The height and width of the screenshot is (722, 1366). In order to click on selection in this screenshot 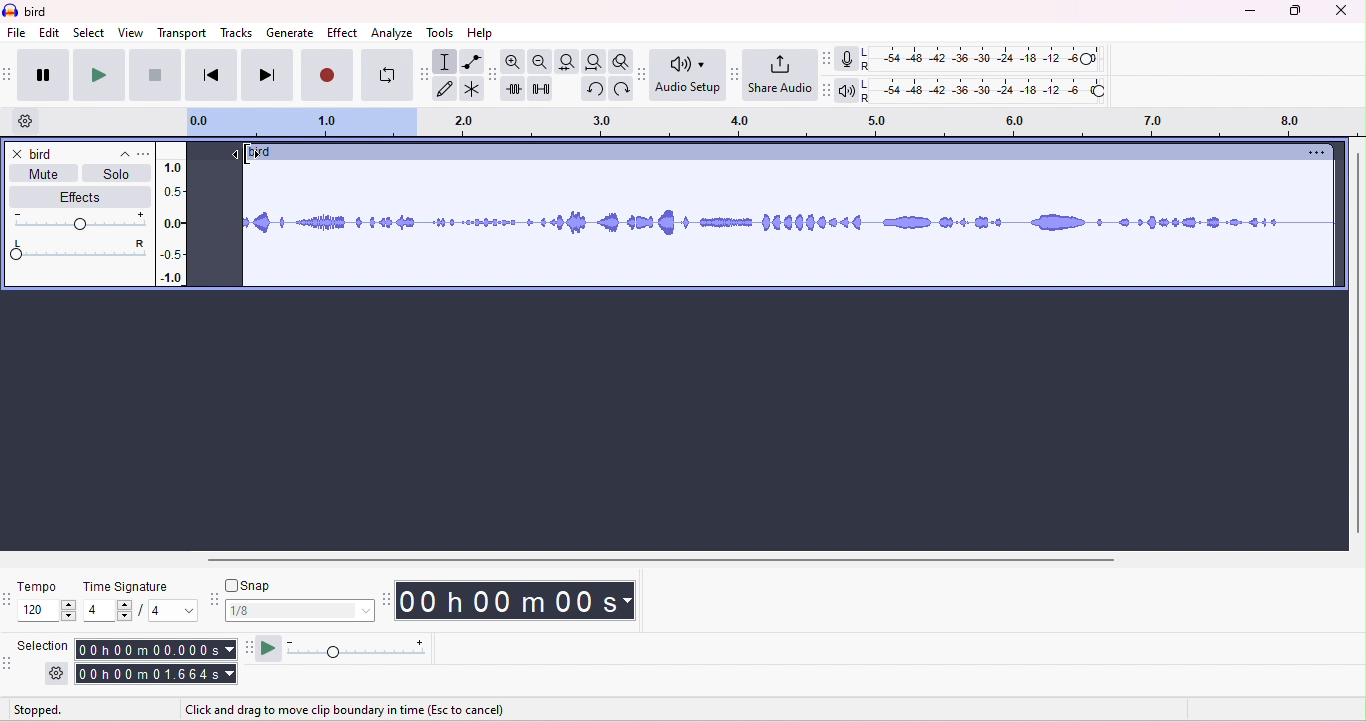, I will do `click(445, 61)`.